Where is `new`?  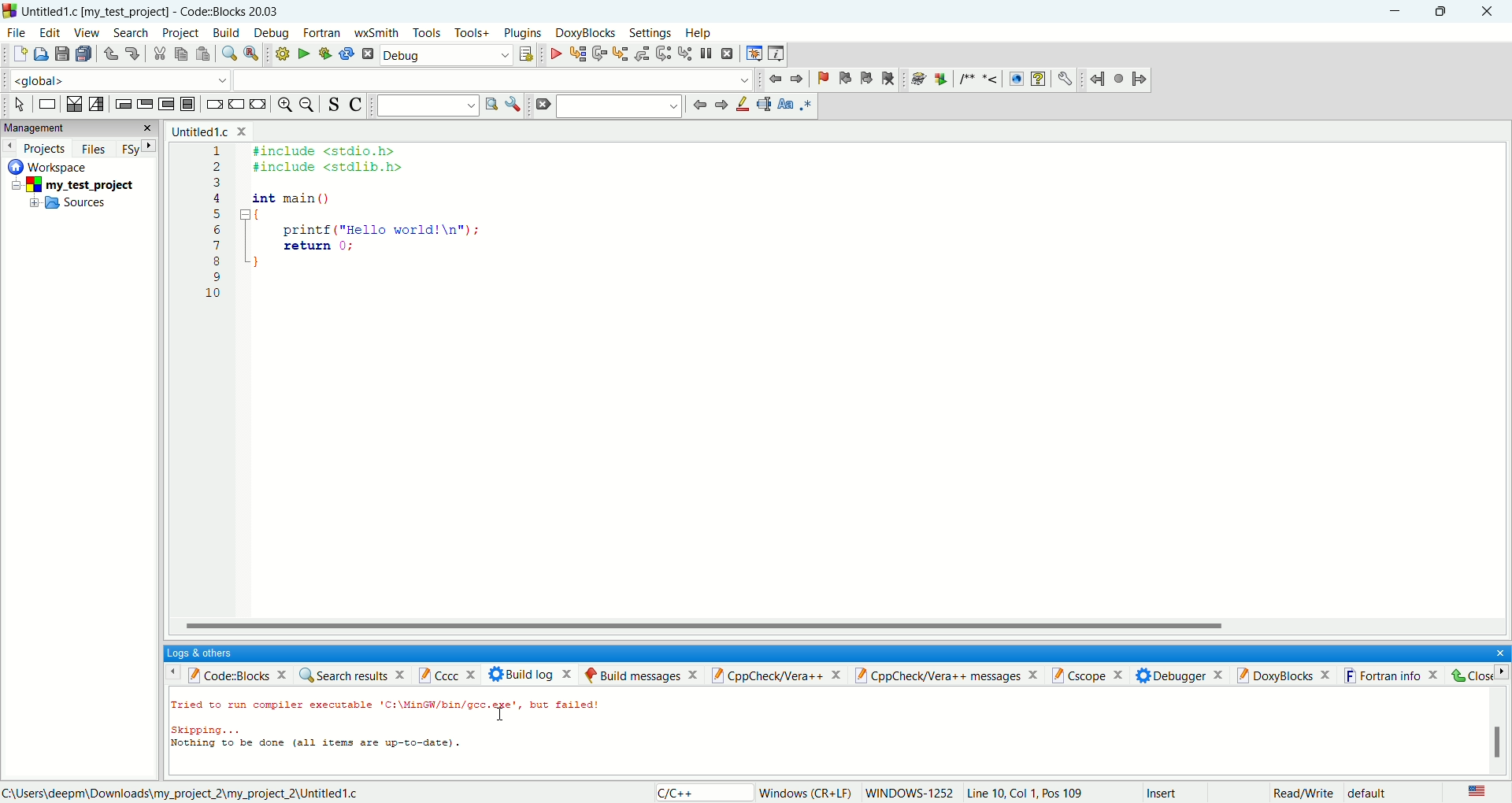 new is located at coordinates (19, 54).